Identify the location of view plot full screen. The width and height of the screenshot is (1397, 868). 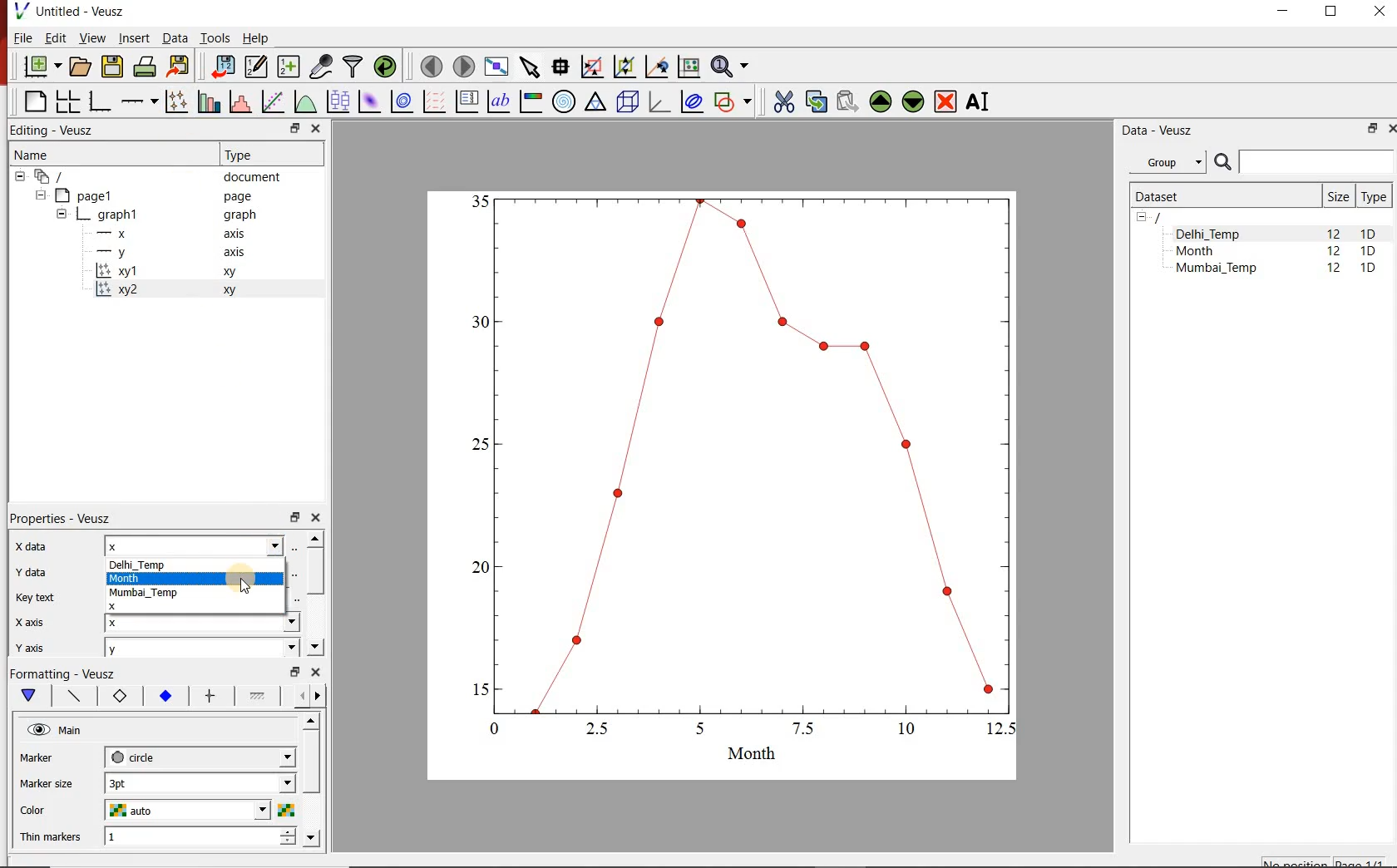
(496, 67).